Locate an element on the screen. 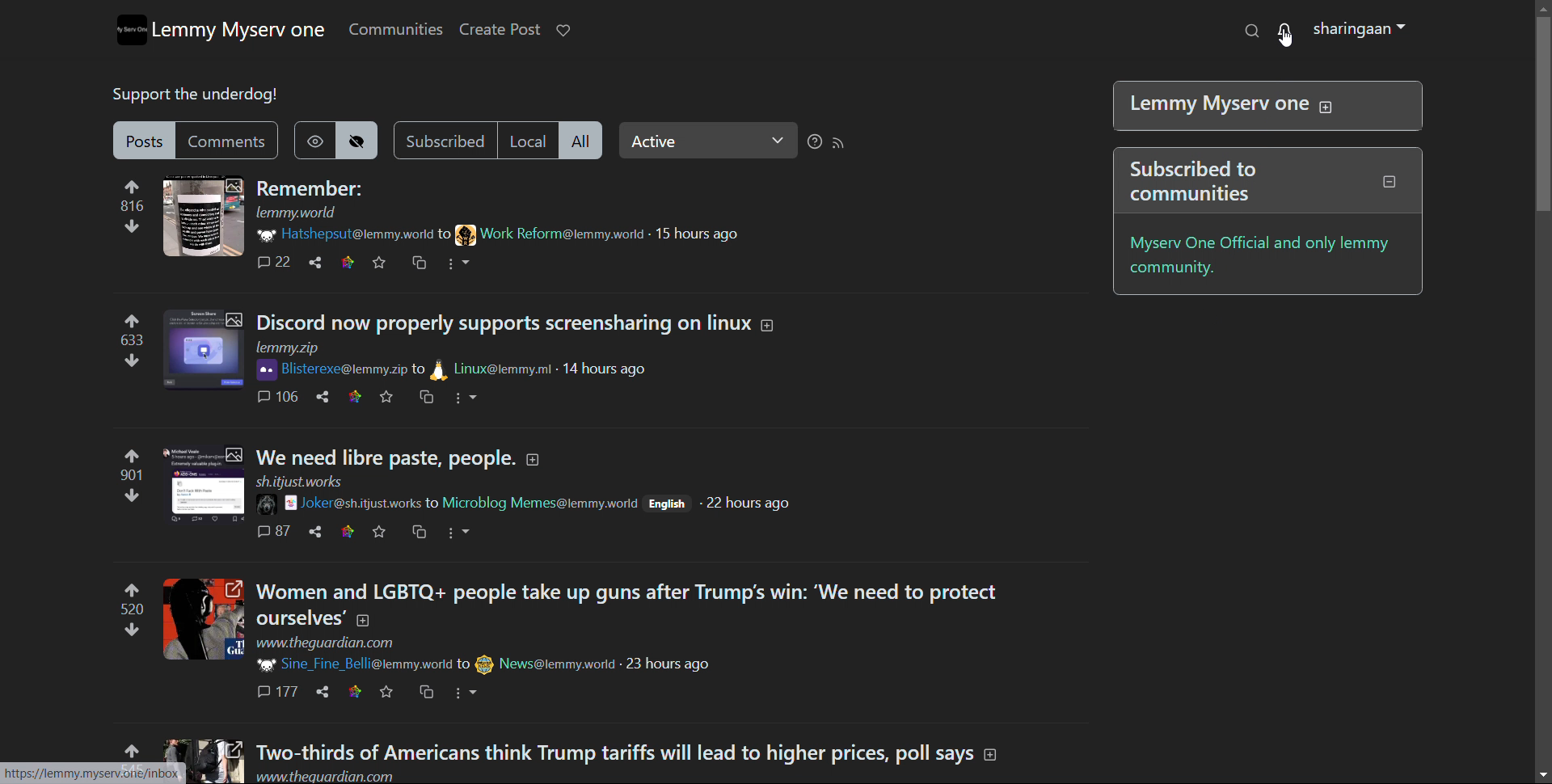  expand here is located at coordinates (203, 351).